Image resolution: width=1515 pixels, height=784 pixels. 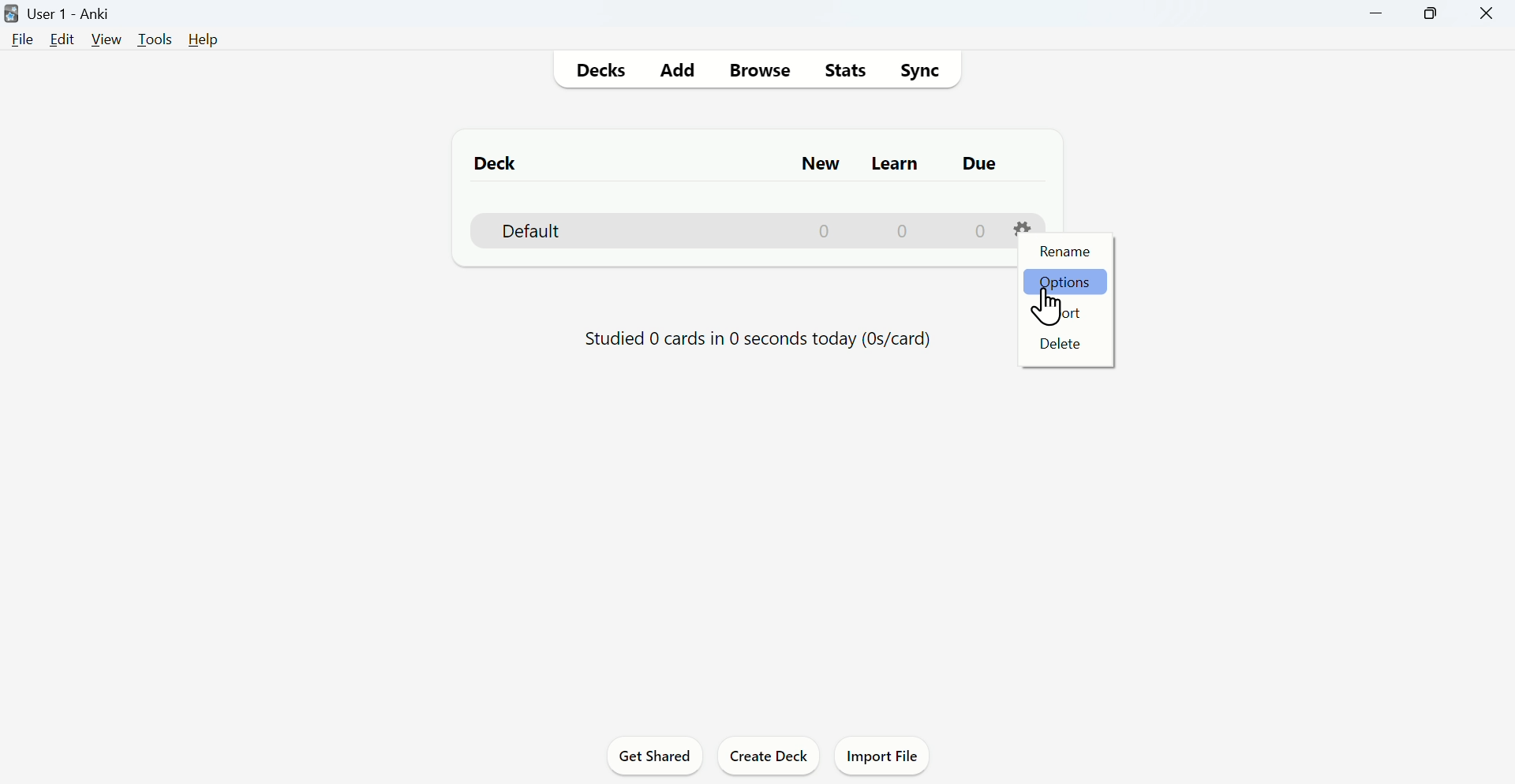 I want to click on Create Deck, so click(x=770, y=754).